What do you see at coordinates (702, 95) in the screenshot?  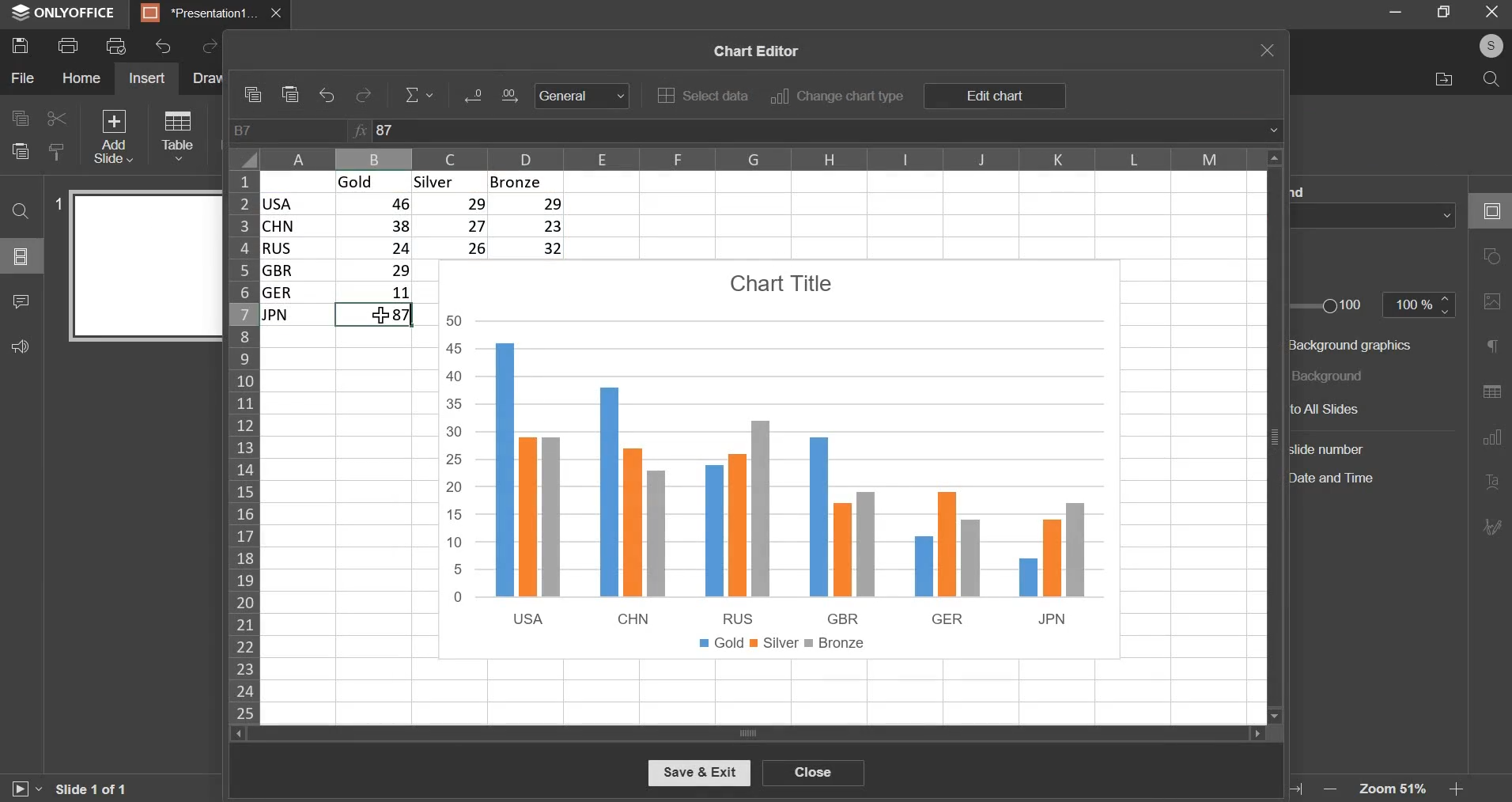 I see `select data` at bounding box center [702, 95].